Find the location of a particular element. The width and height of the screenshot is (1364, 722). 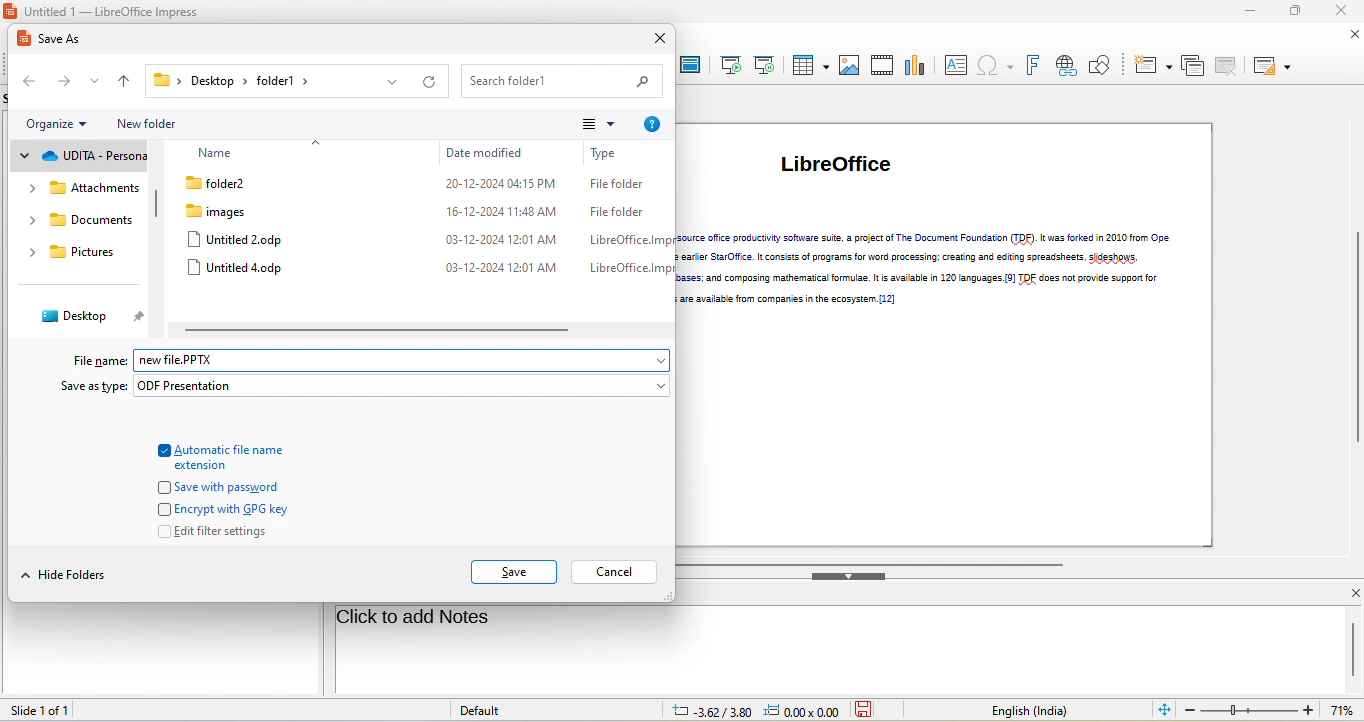

recent location is located at coordinates (96, 81).